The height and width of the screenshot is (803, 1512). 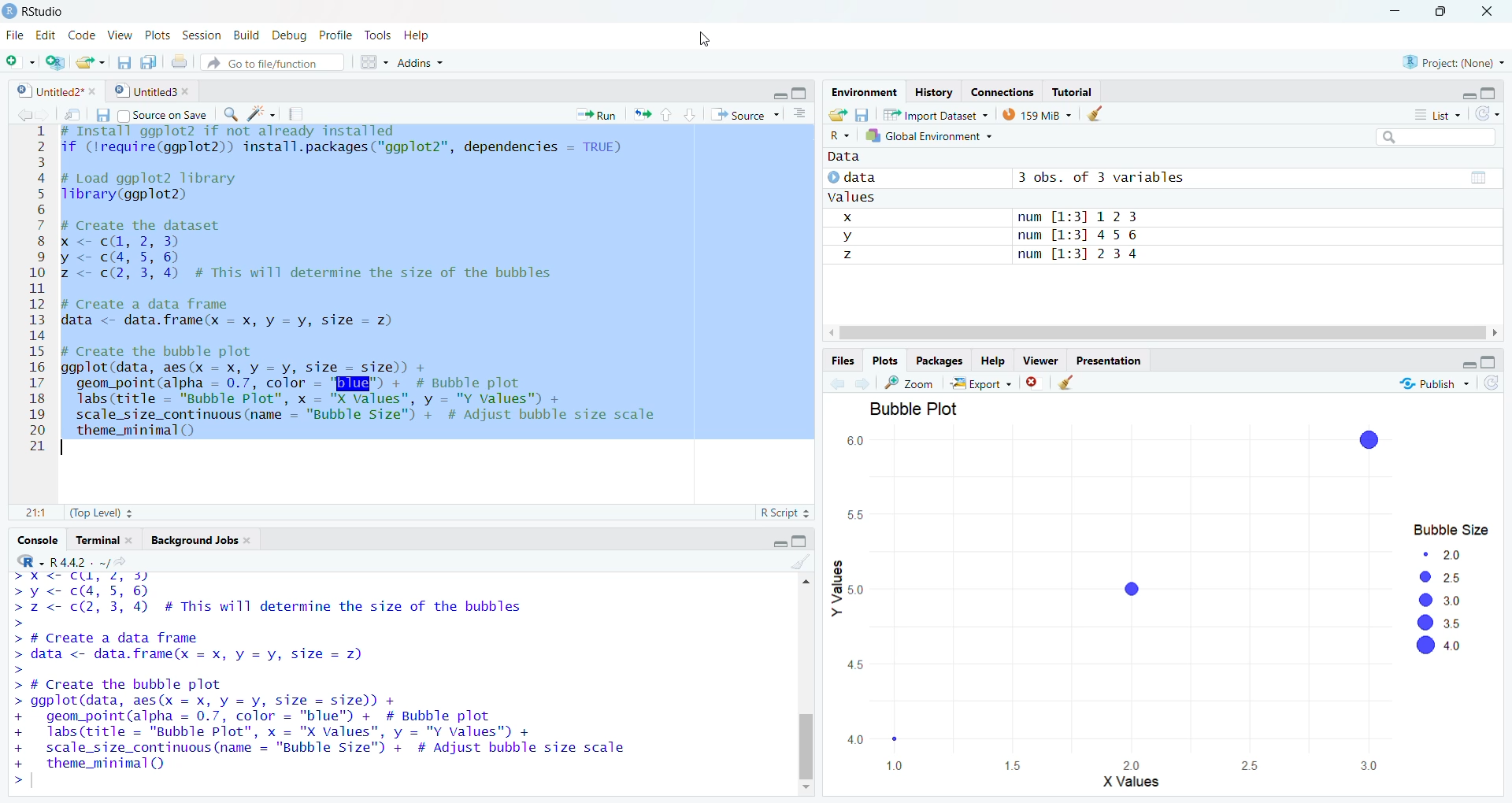 I want to click on Help, so click(x=429, y=35).